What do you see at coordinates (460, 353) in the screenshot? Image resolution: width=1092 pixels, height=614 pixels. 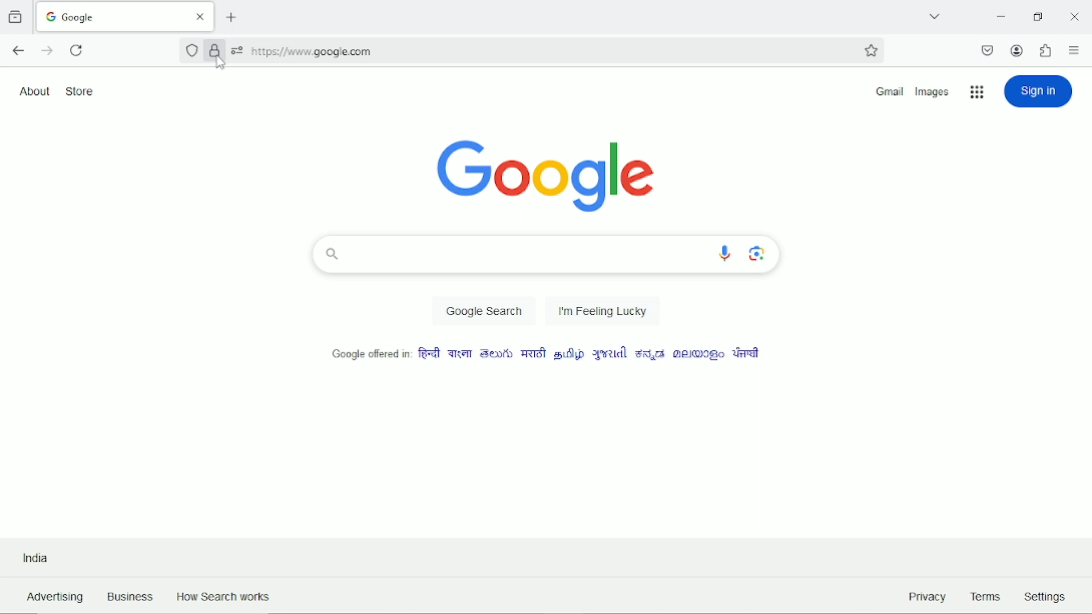 I see `language` at bounding box center [460, 353].